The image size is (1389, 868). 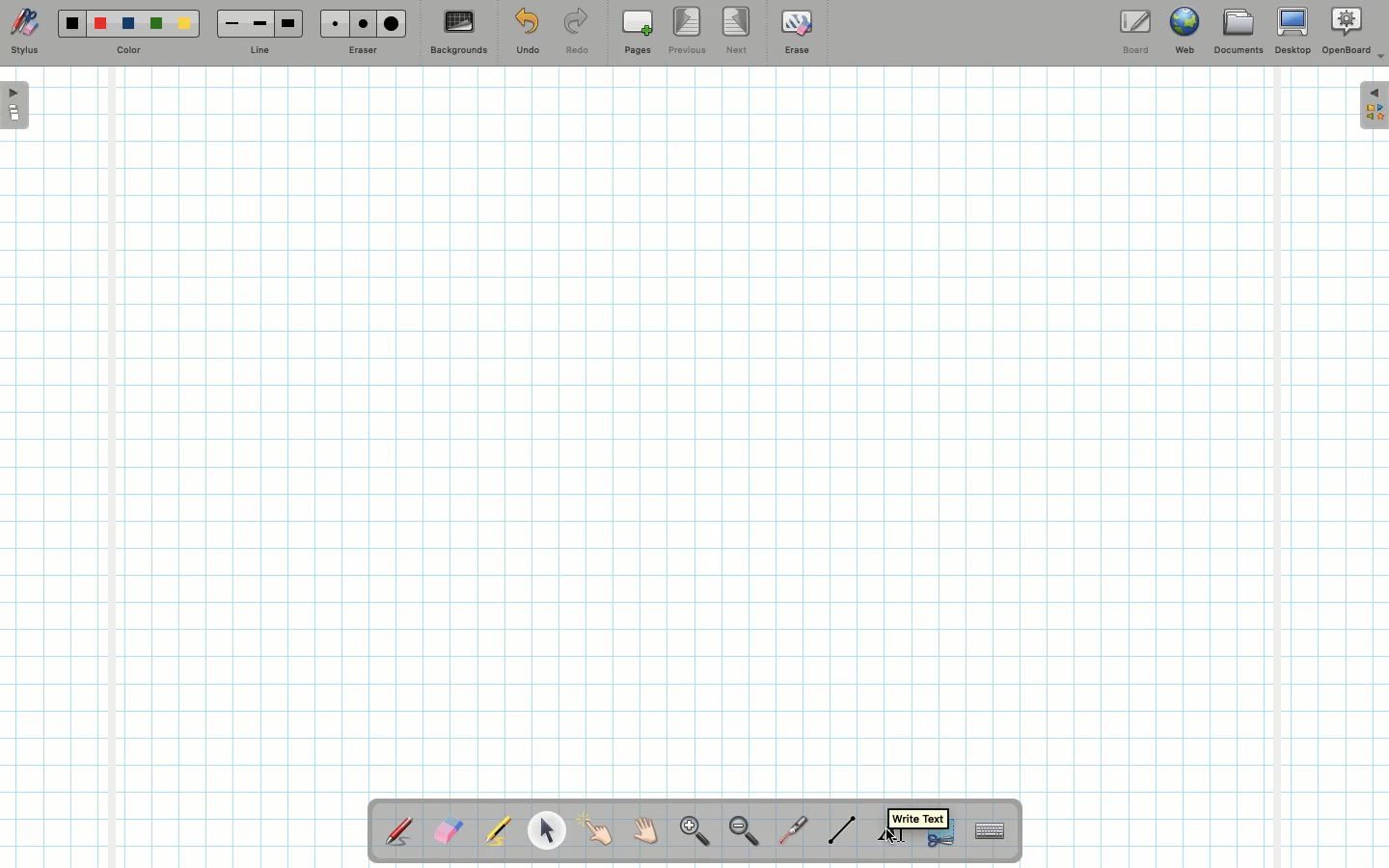 I want to click on Color, so click(x=126, y=51).